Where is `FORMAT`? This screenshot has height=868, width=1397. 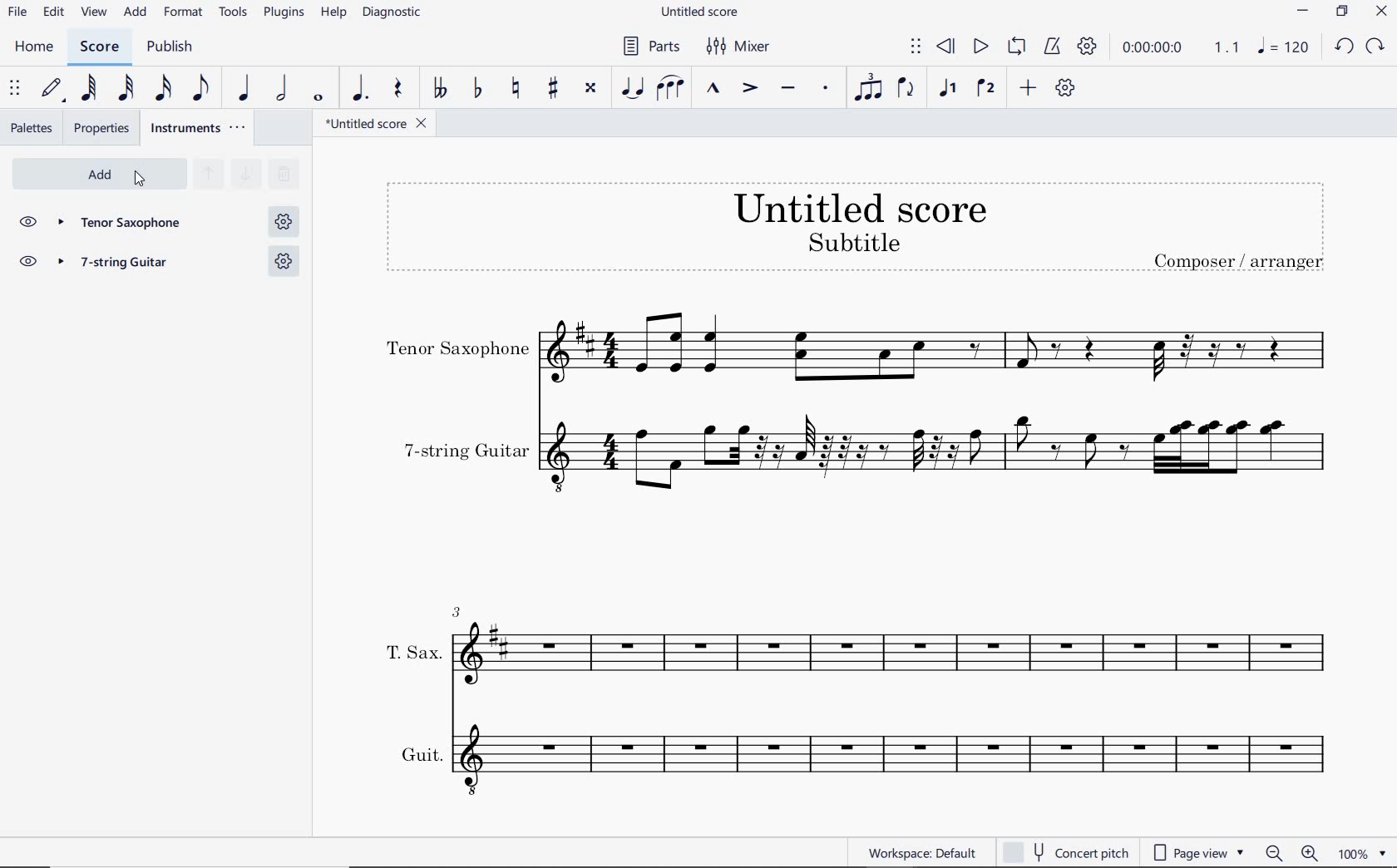 FORMAT is located at coordinates (185, 12).